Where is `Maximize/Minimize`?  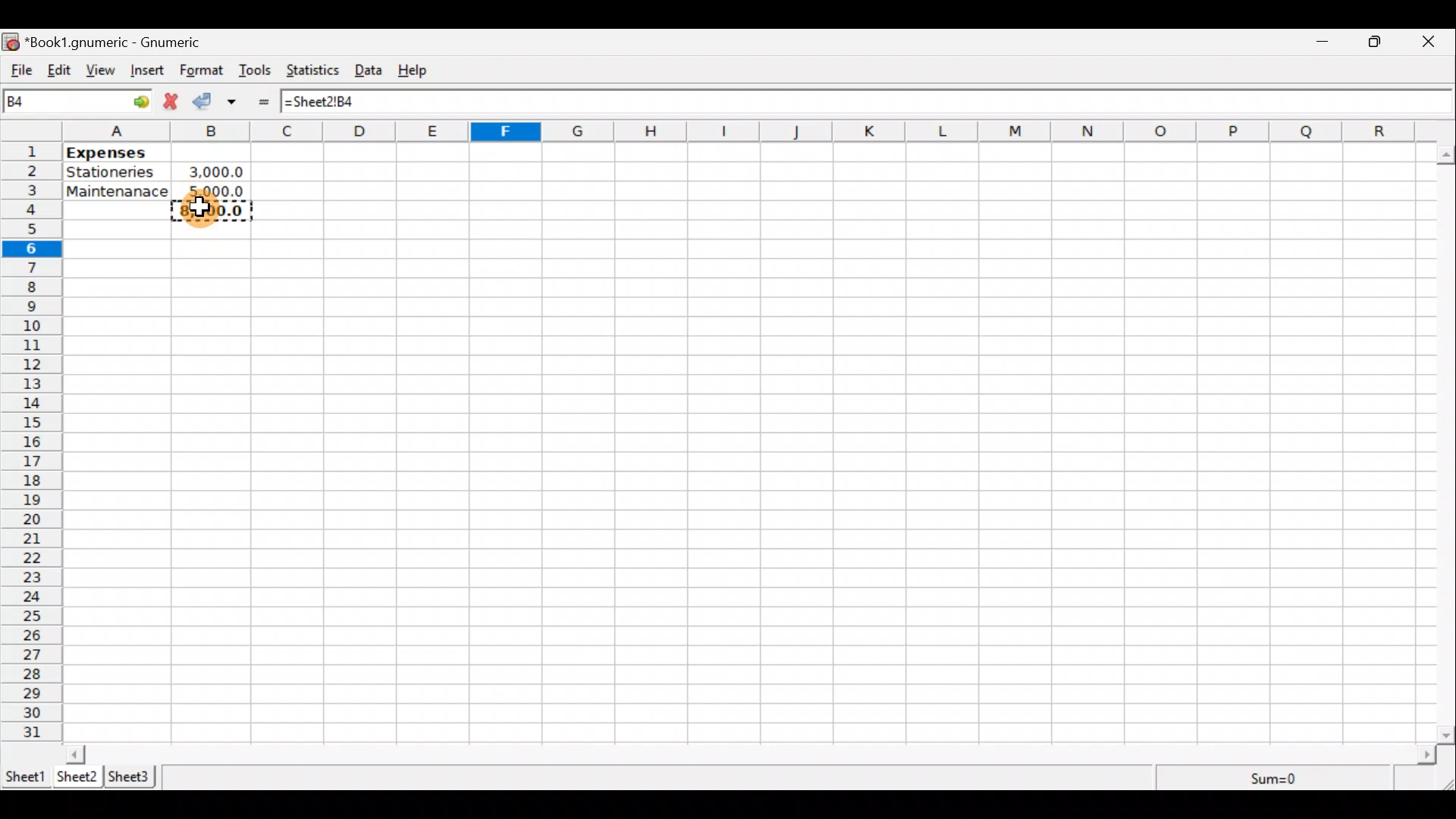 Maximize/Minimize is located at coordinates (1379, 42).